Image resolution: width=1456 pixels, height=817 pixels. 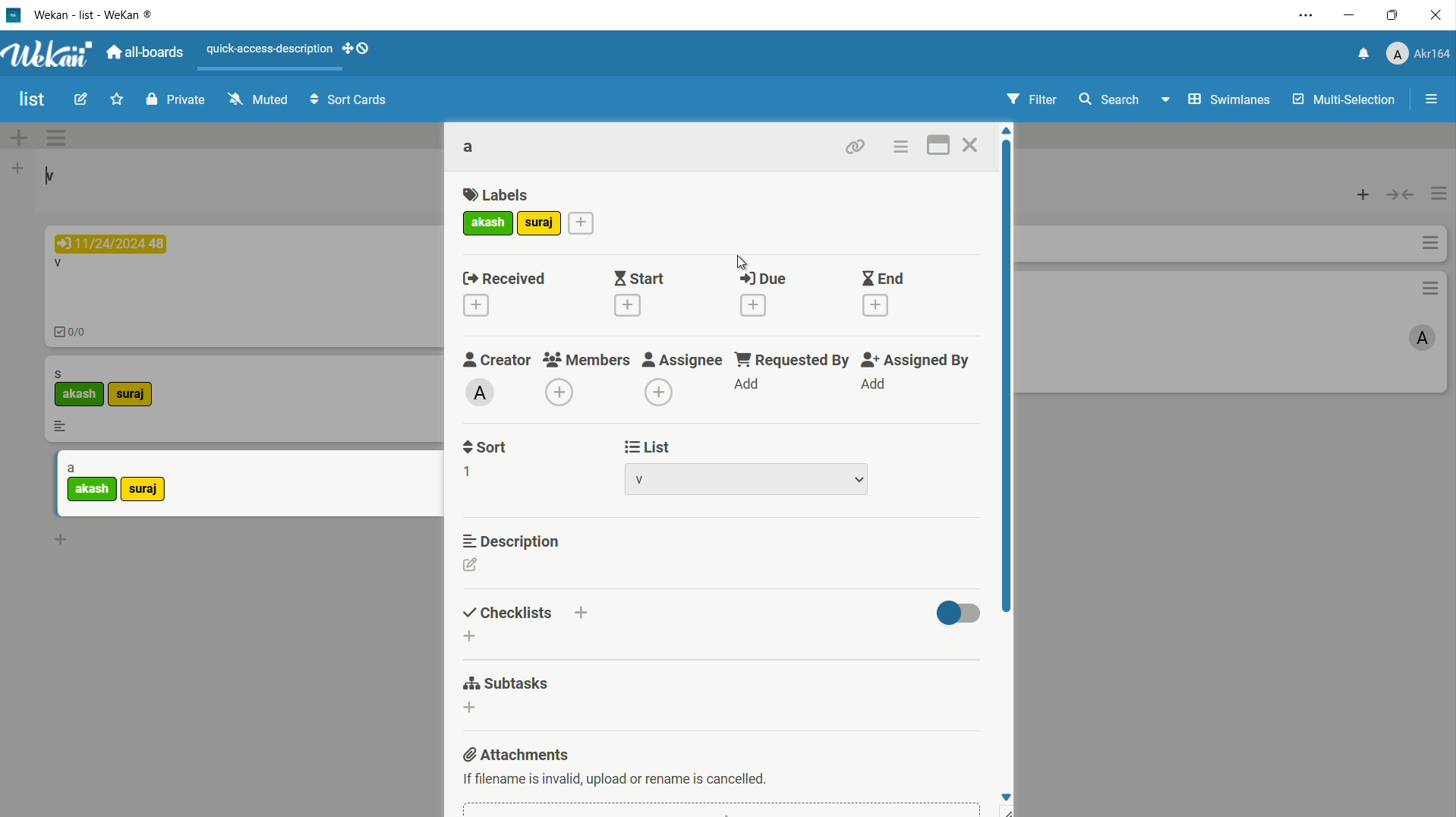 I want to click on search, so click(x=1111, y=99).